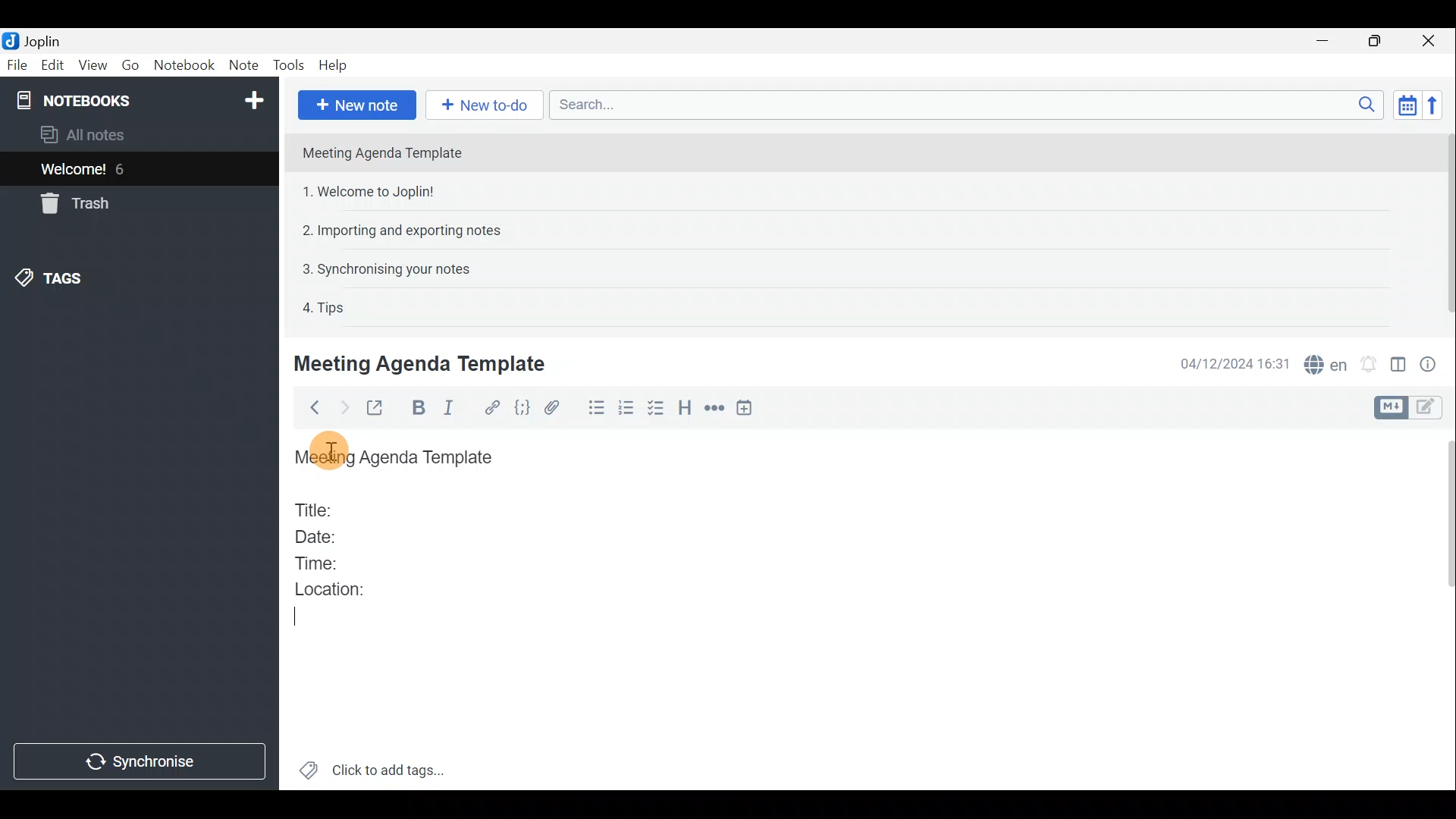  What do you see at coordinates (962, 104) in the screenshot?
I see `Search bar` at bounding box center [962, 104].